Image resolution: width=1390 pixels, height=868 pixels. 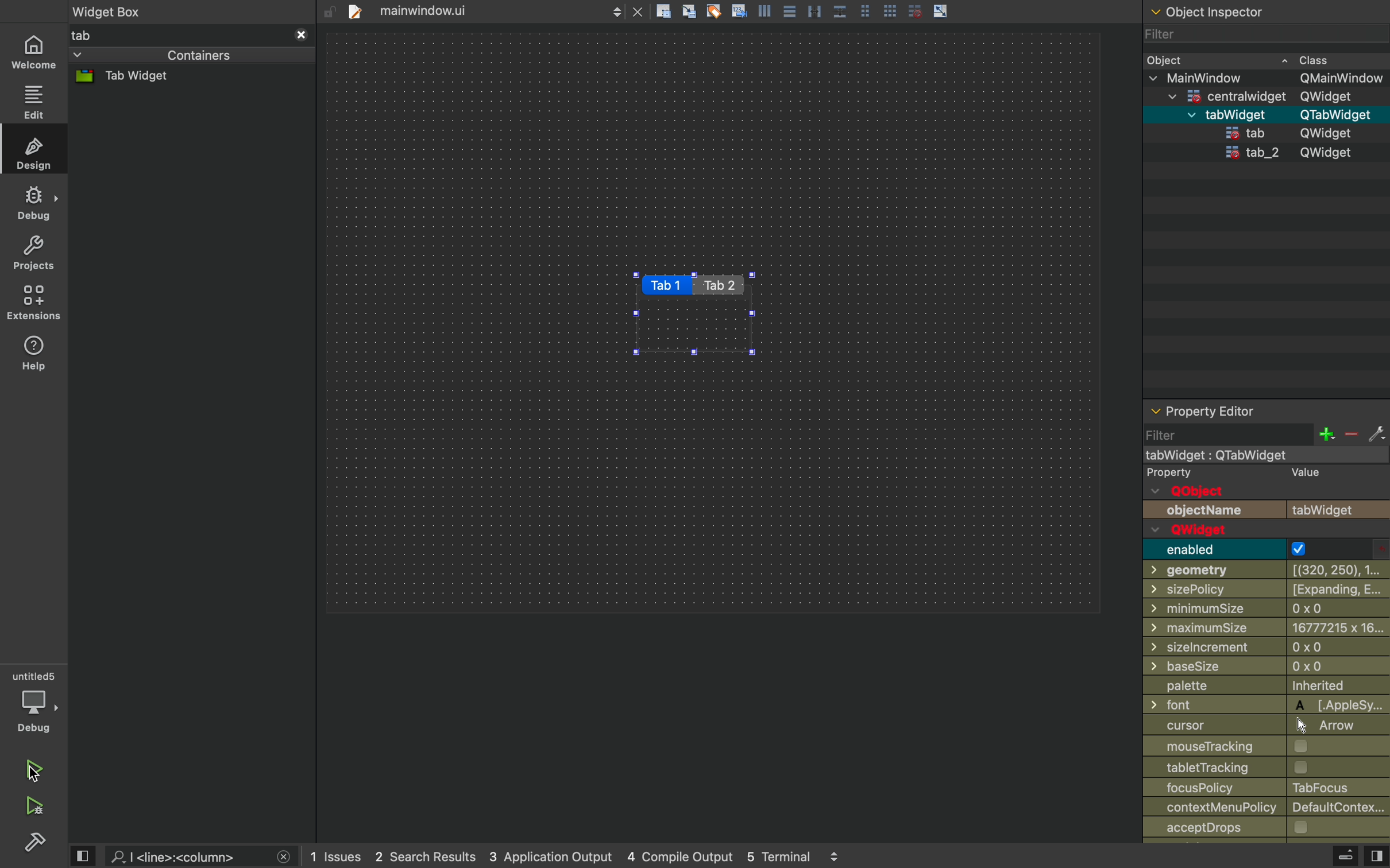 What do you see at coordinates (788, 10) in the screenshot?
I see `align center` at bounding box center [788, 10].